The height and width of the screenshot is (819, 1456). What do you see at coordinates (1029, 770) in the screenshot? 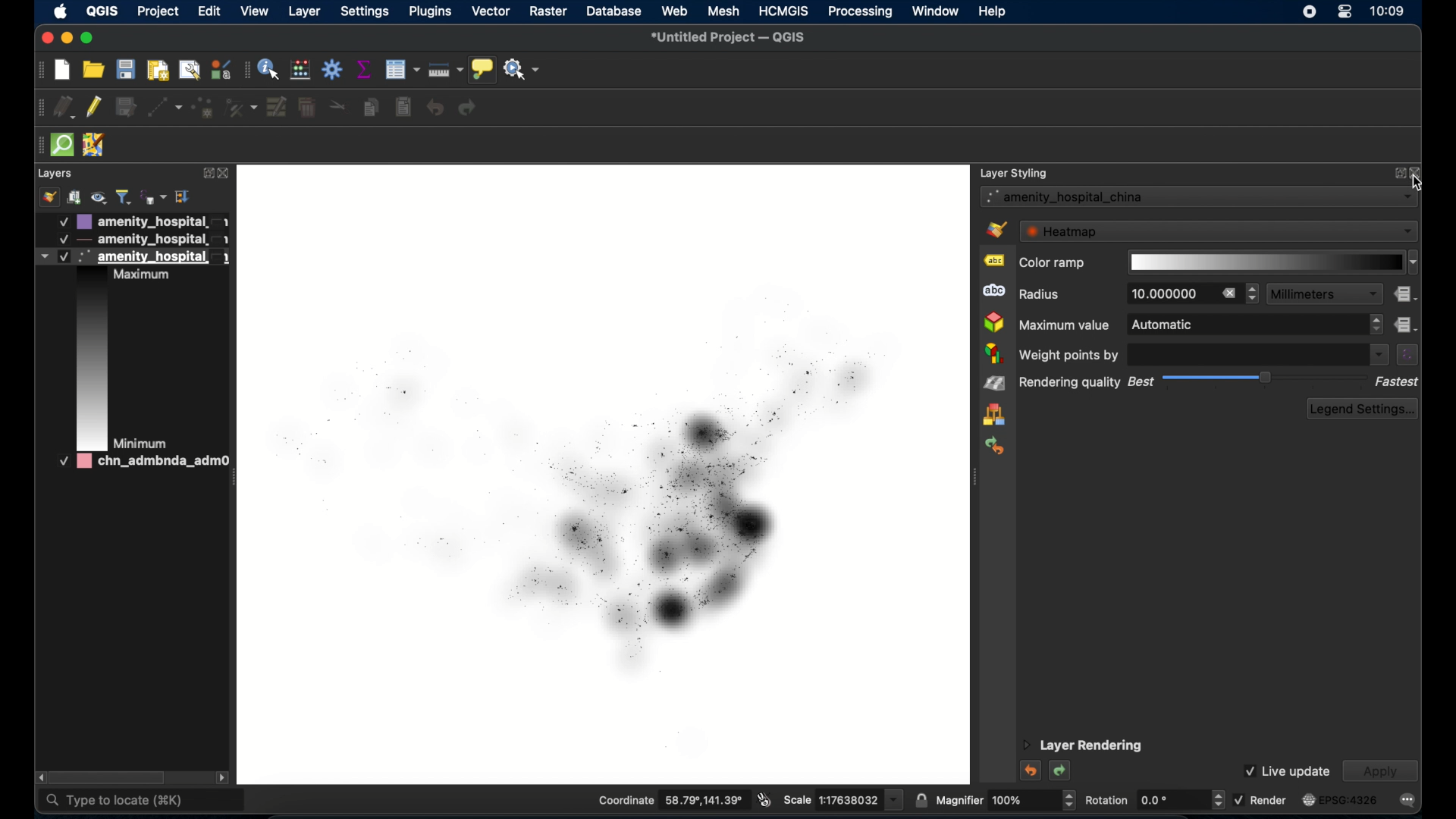
I see `undo` at bounding box center [1029, 770].